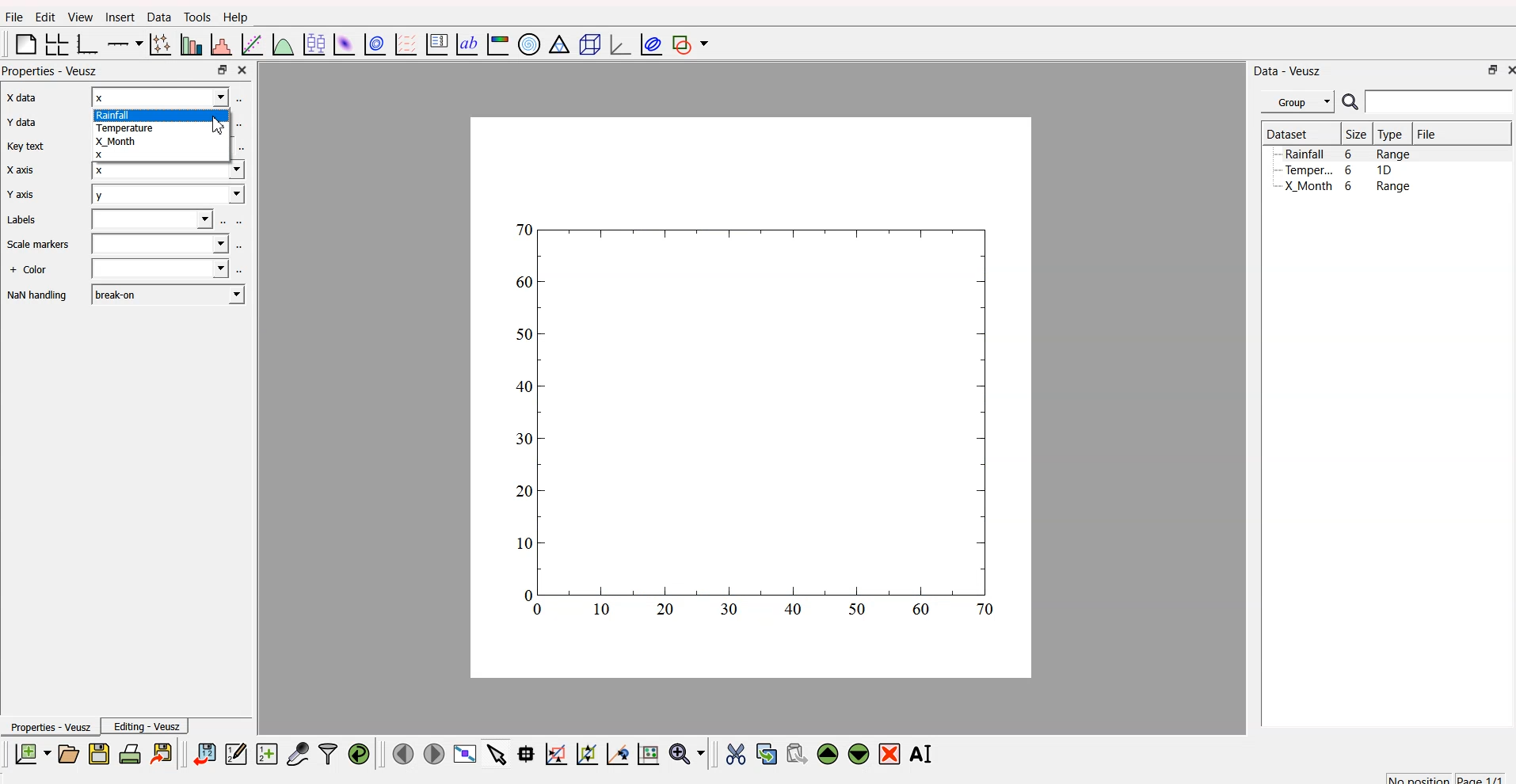 The height and width of the screenshot is (784, 1516). I want to click on base graph, so click(88, 44).